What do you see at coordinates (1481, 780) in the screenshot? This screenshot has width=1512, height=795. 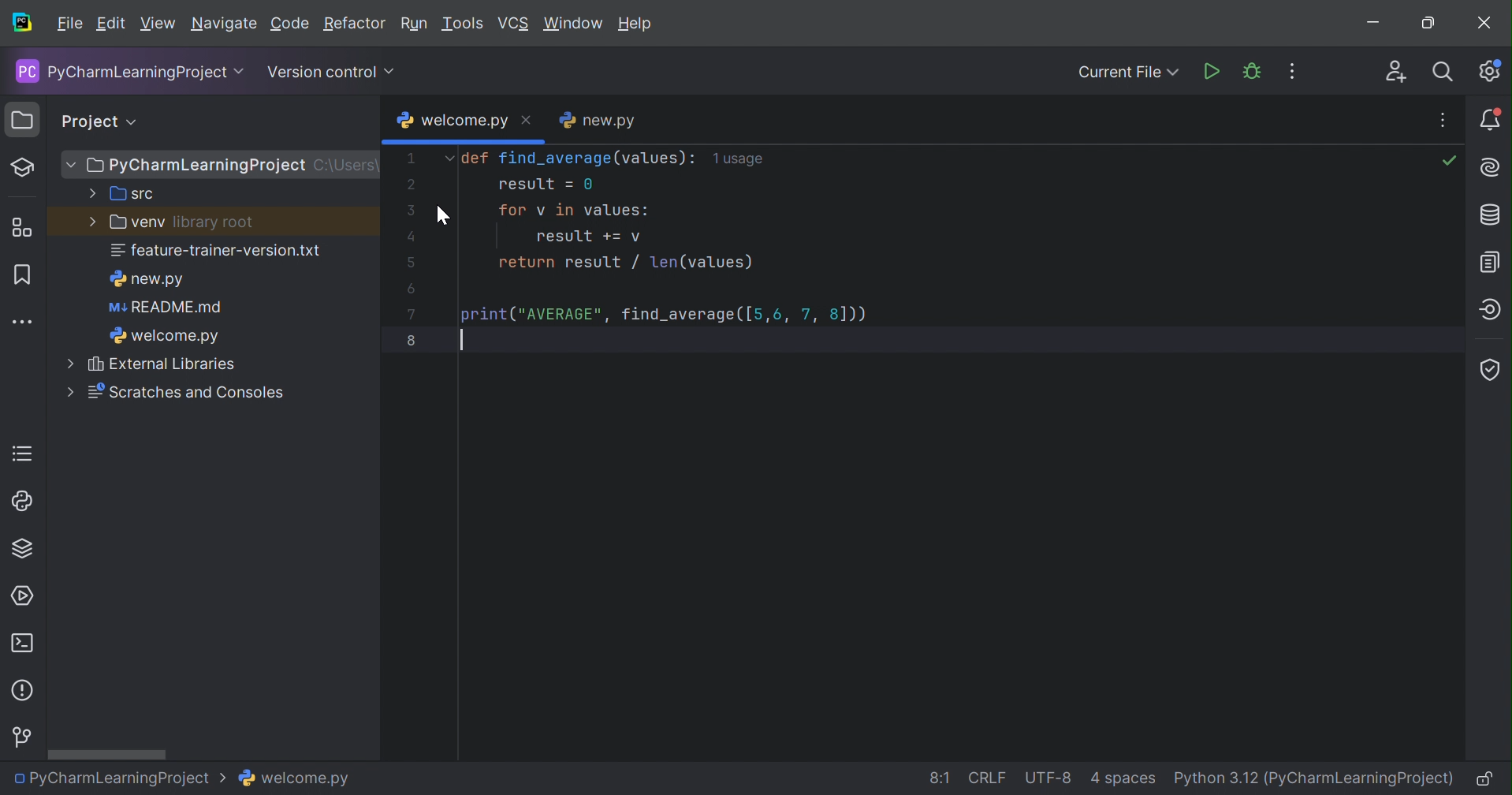 I see `Make file read-only` at bounding box center [1481, 780].